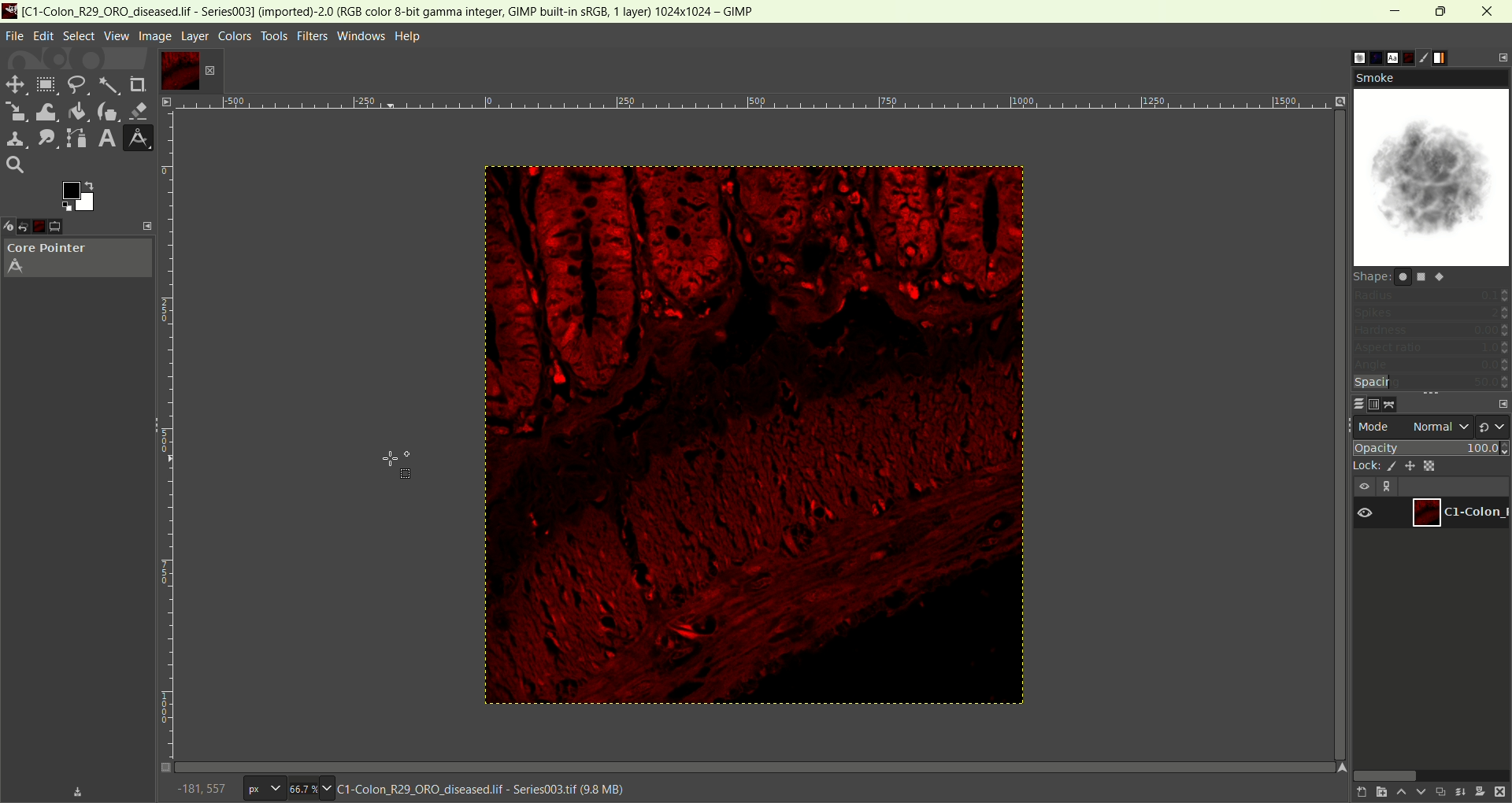 Image resolution: width=1512 pixels, height=803 pixels. What do you see at coordinates (1432, 347) in the screenshot?
I see `aspect ratio` at bounding box center [1432, 347].